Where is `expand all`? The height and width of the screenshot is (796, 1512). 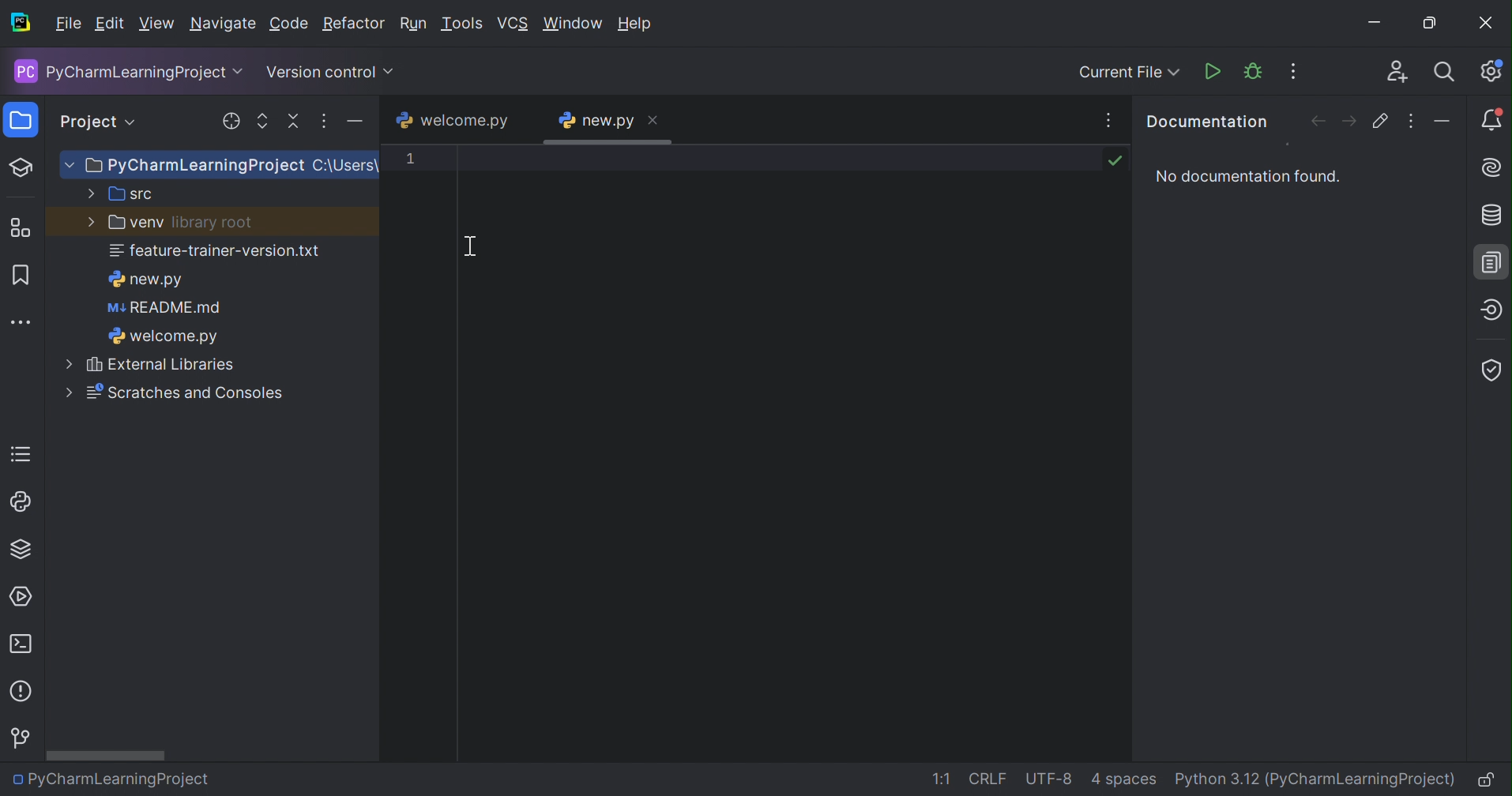
expand all is located at coordinates (260, 121).